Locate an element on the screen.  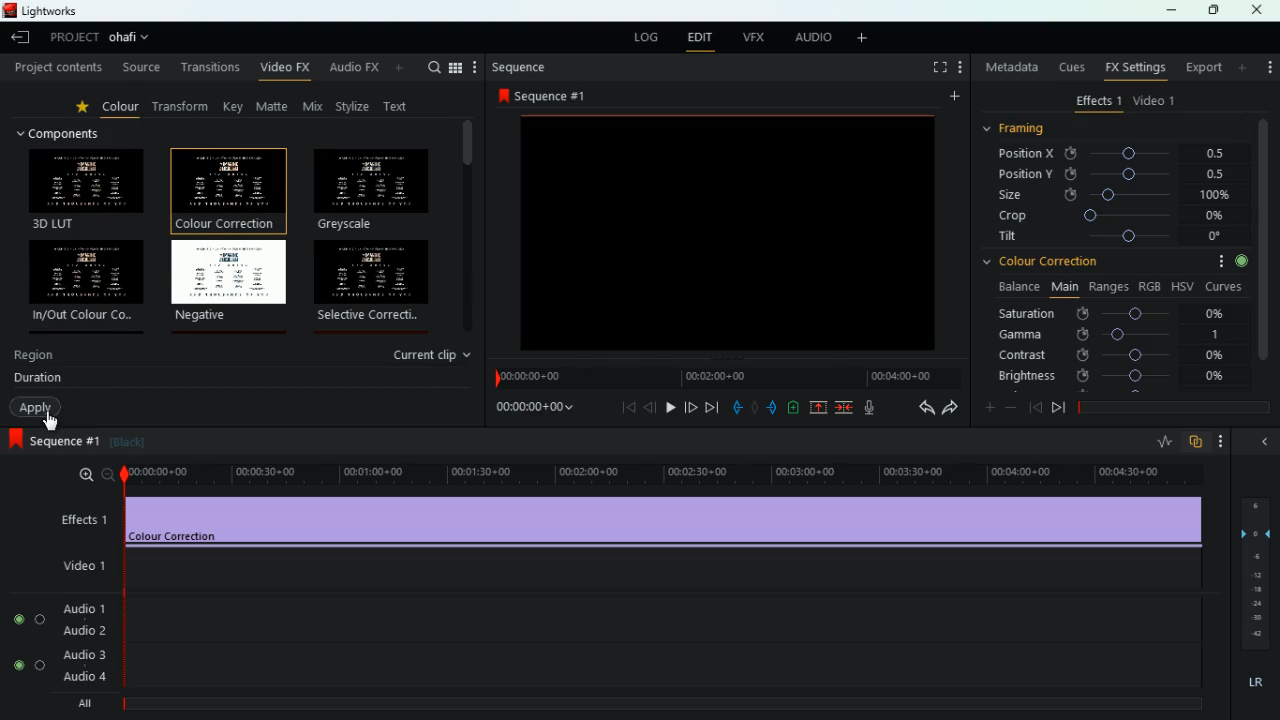
size is located at coordinates (1118, 196).